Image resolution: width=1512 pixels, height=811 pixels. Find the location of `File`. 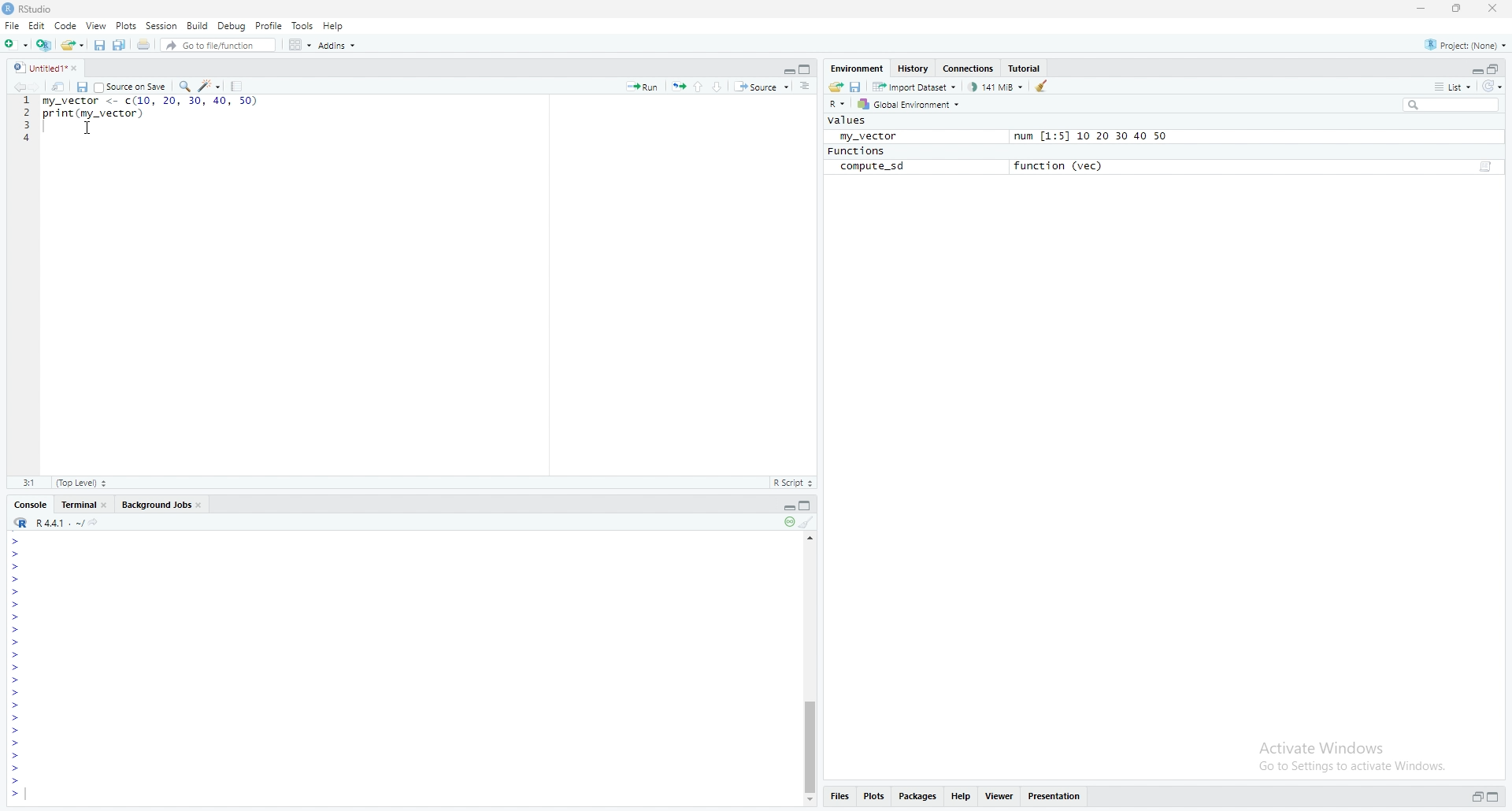

File is located at coordinates (12, 25).